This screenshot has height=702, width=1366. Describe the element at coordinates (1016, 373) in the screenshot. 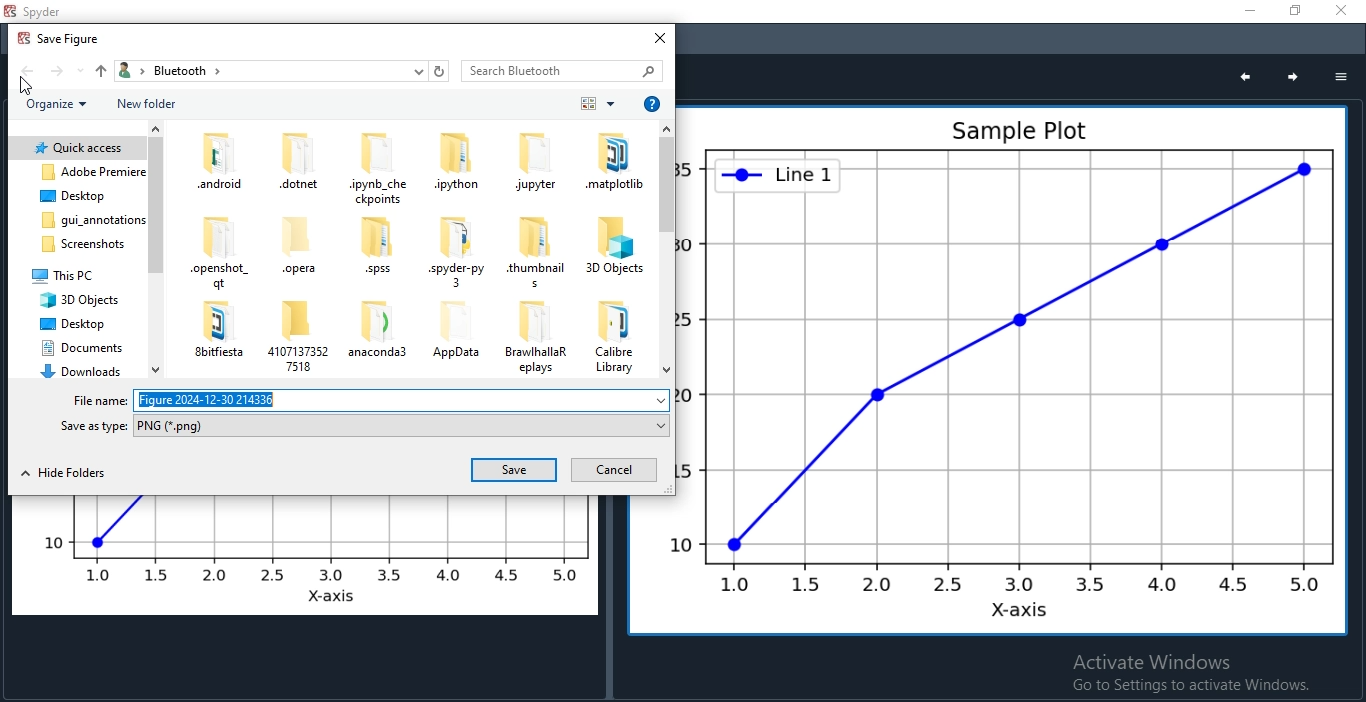

I see `graph` at that location.